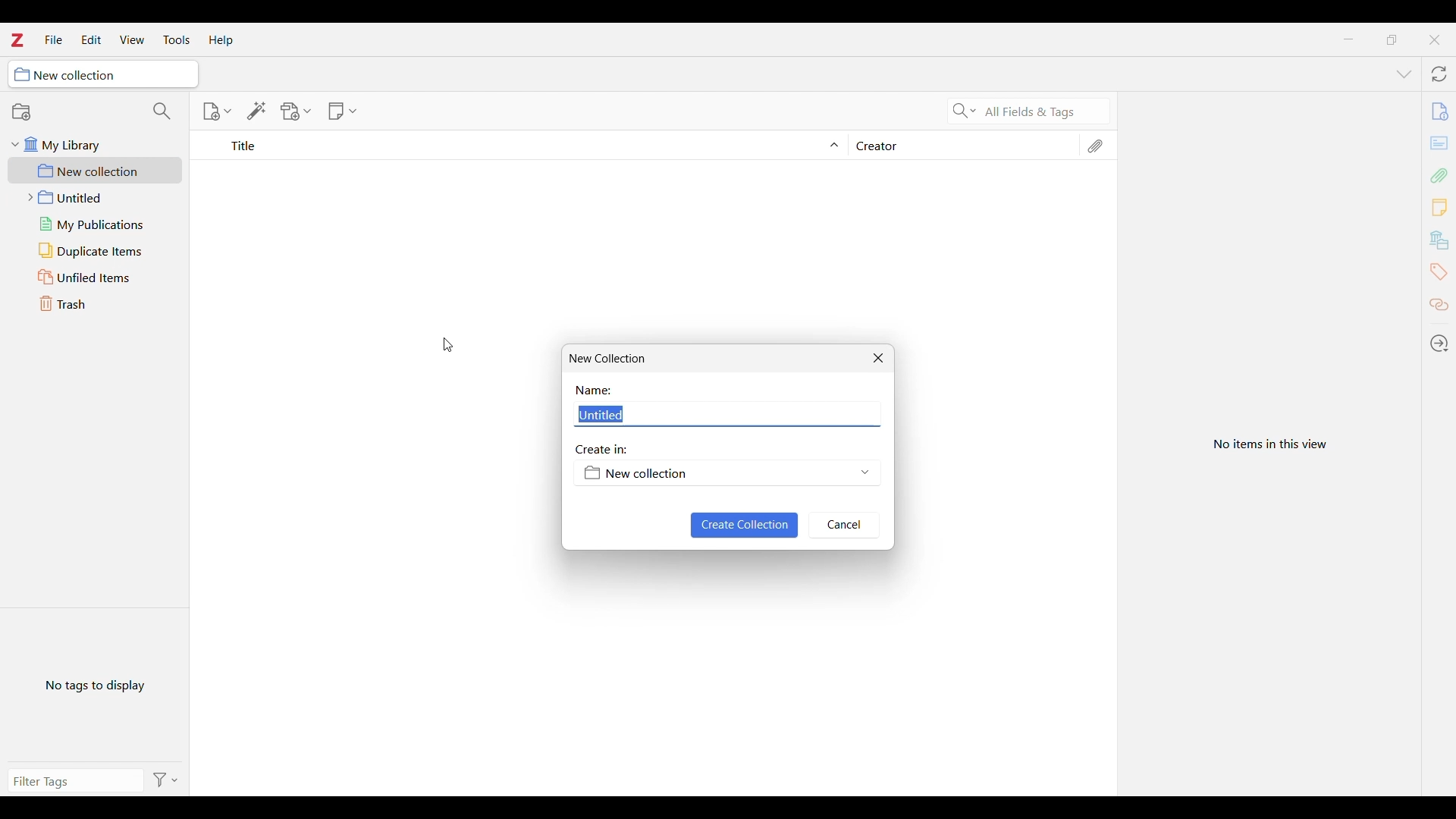 The width and height of the screenshot is (1456, 819). Describe the element at coordinates (22, 112) in the screenshot. I see `New collection` at that location.